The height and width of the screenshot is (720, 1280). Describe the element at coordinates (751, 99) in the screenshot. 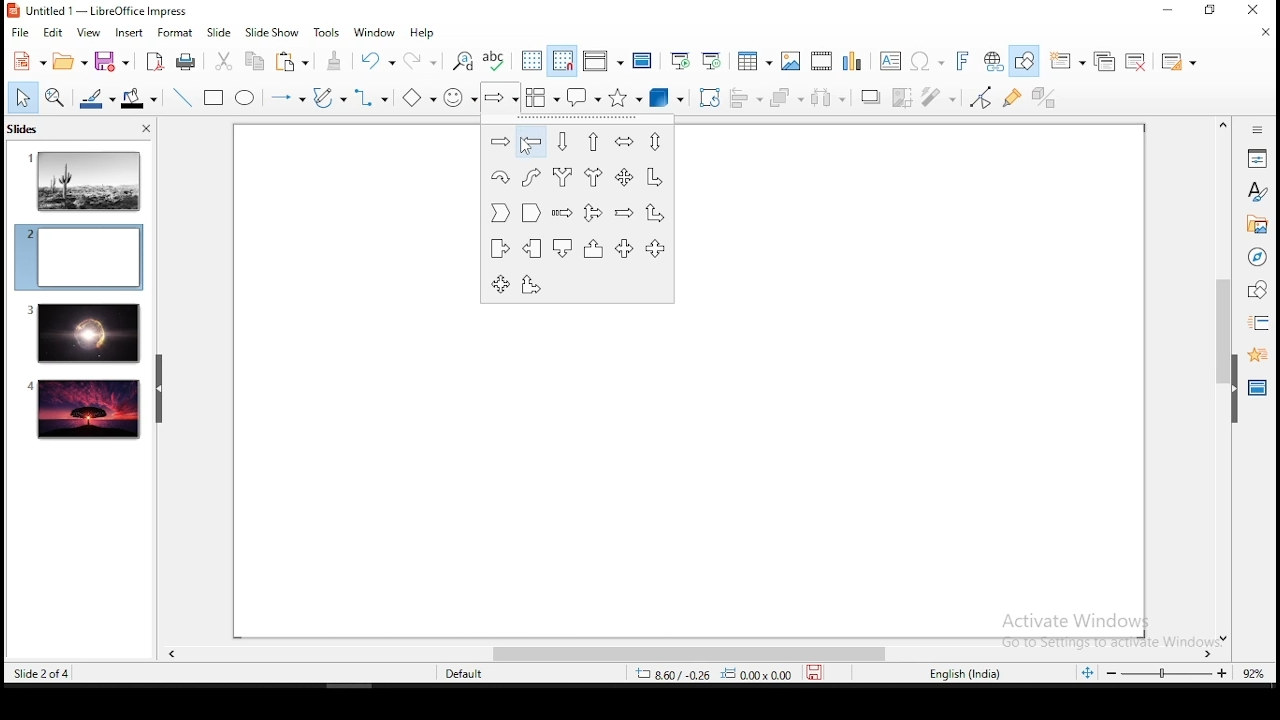

I see `align objects` at that location.